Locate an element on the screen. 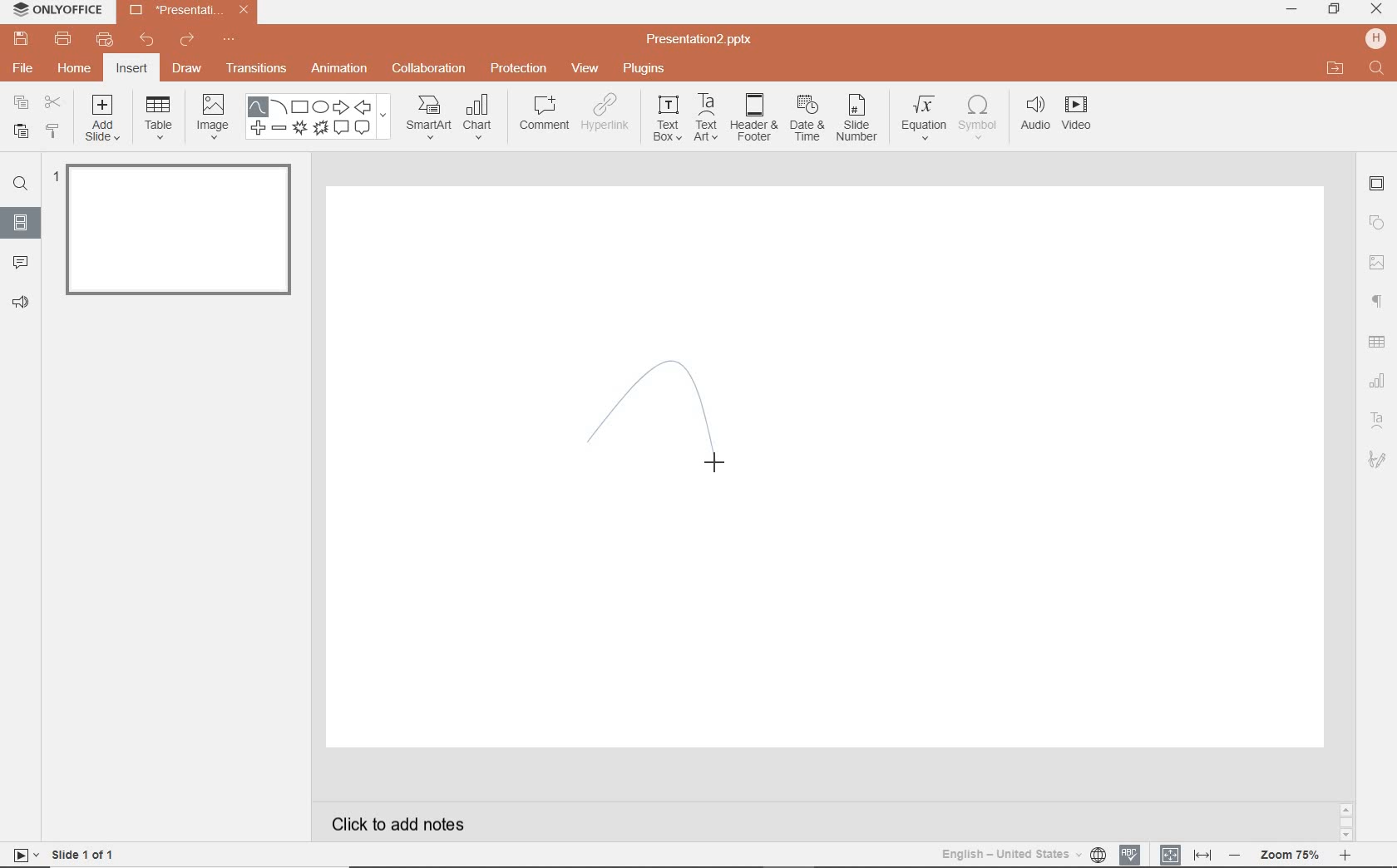 The image size is (1397, 868). HP is located at coordinates (1374, 37).